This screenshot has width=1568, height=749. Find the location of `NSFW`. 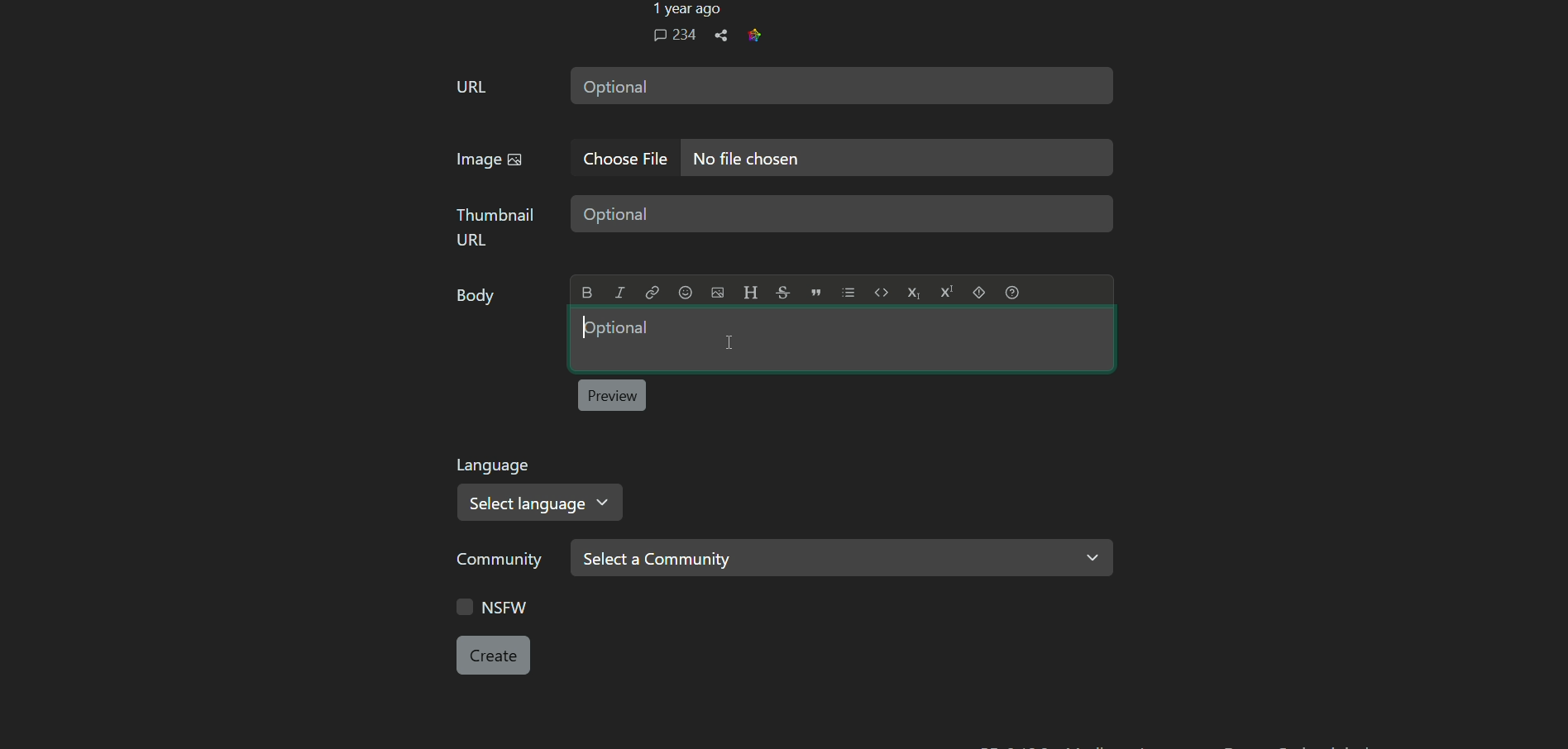

NSFW is located at coordinates (496, 609).